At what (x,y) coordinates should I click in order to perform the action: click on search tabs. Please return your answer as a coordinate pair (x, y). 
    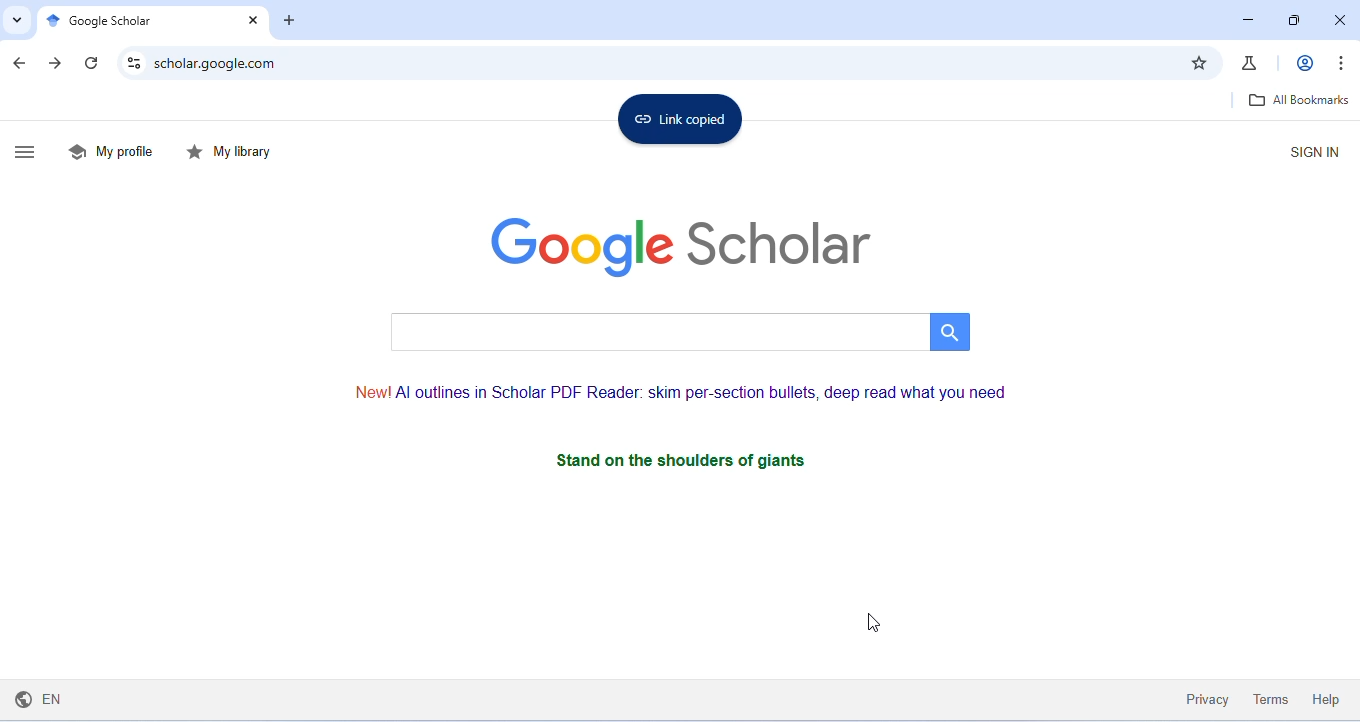
    Looking at the image, I should click on (15, 20).